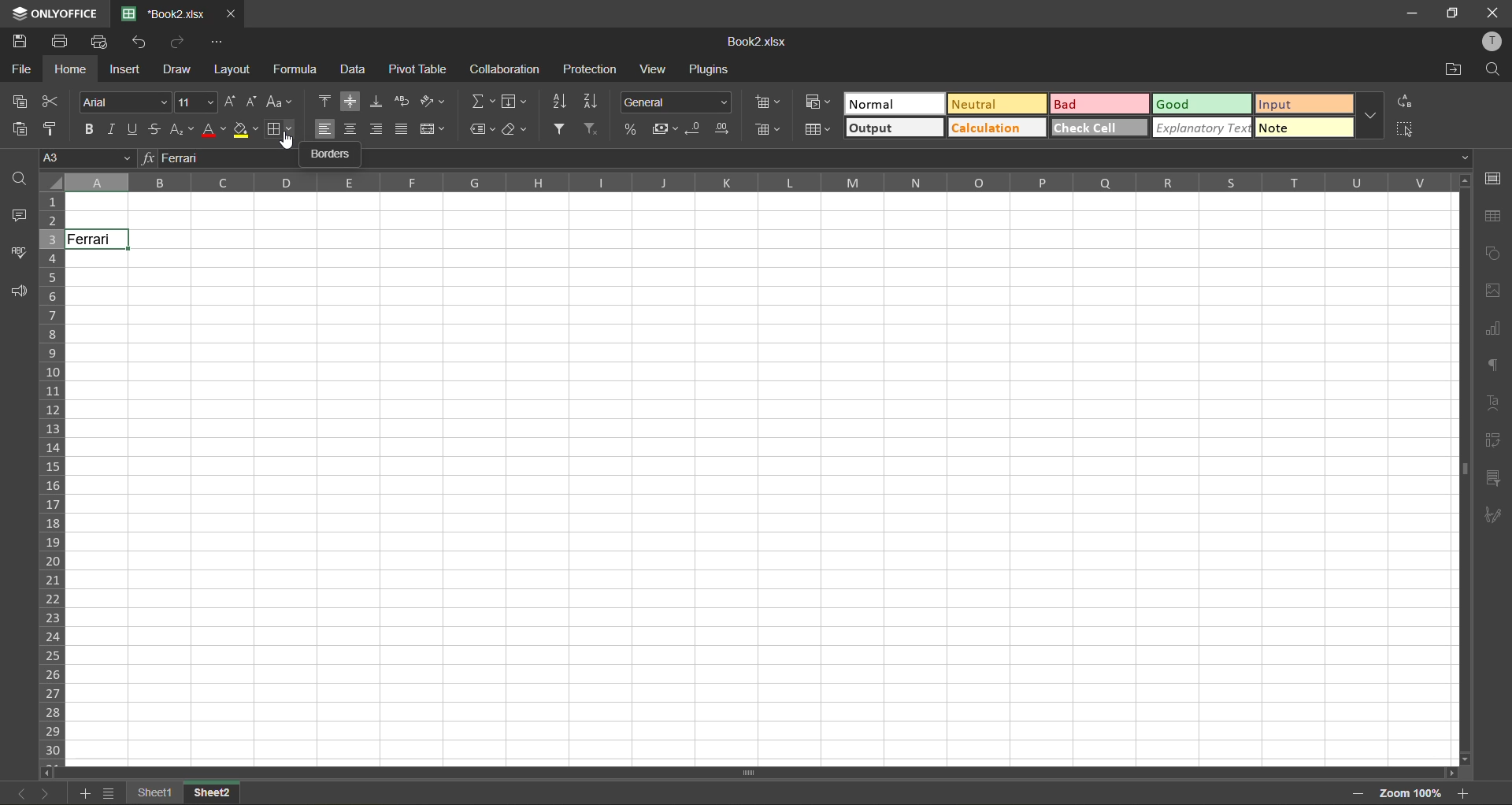  What do you see at coordinates (326, 99) in the screenshot?
I see `align top` at bounding box center [326, 99].